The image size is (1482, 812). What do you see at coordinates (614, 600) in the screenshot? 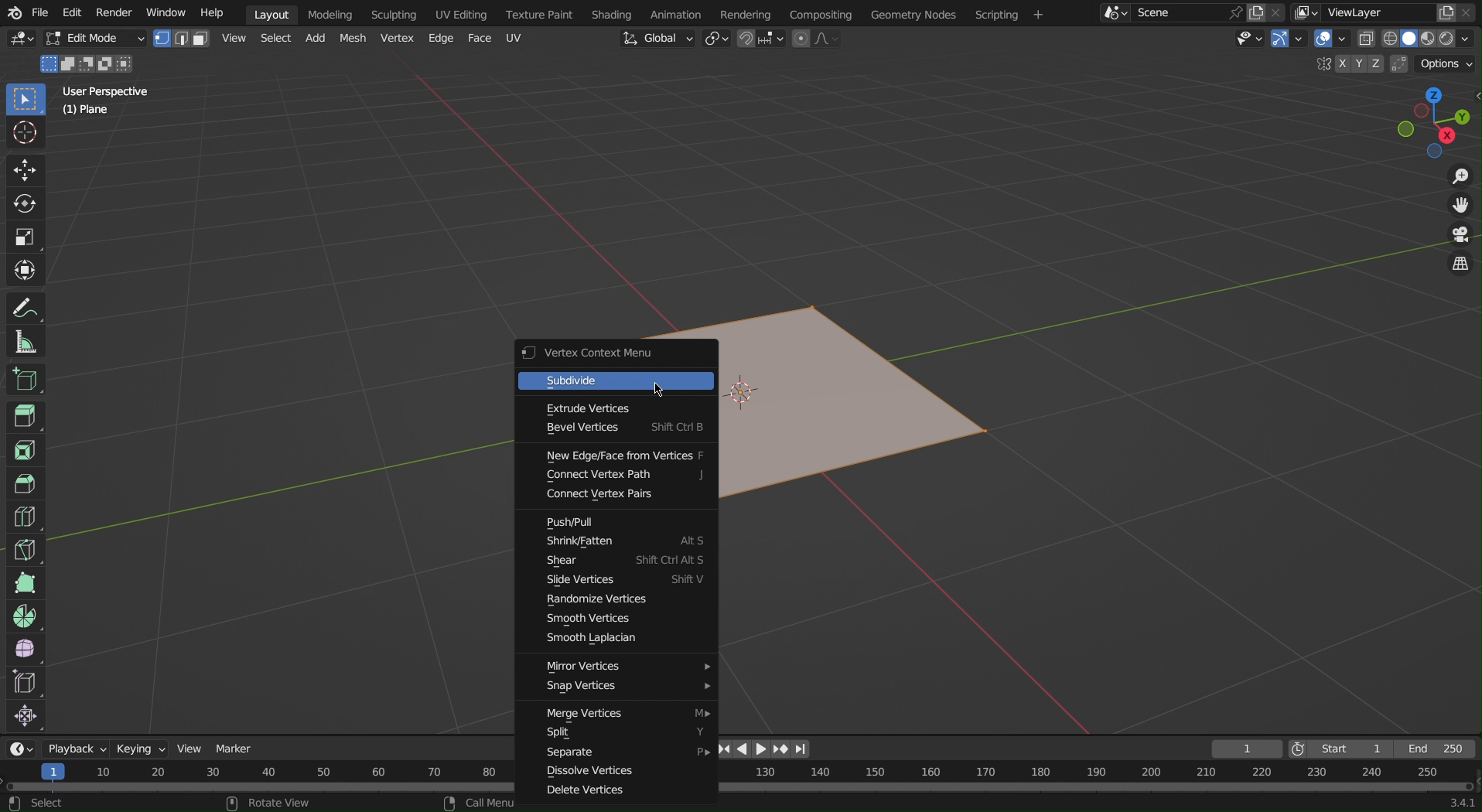
I see `Randomize Vertices` at bounding box center [614, 600].